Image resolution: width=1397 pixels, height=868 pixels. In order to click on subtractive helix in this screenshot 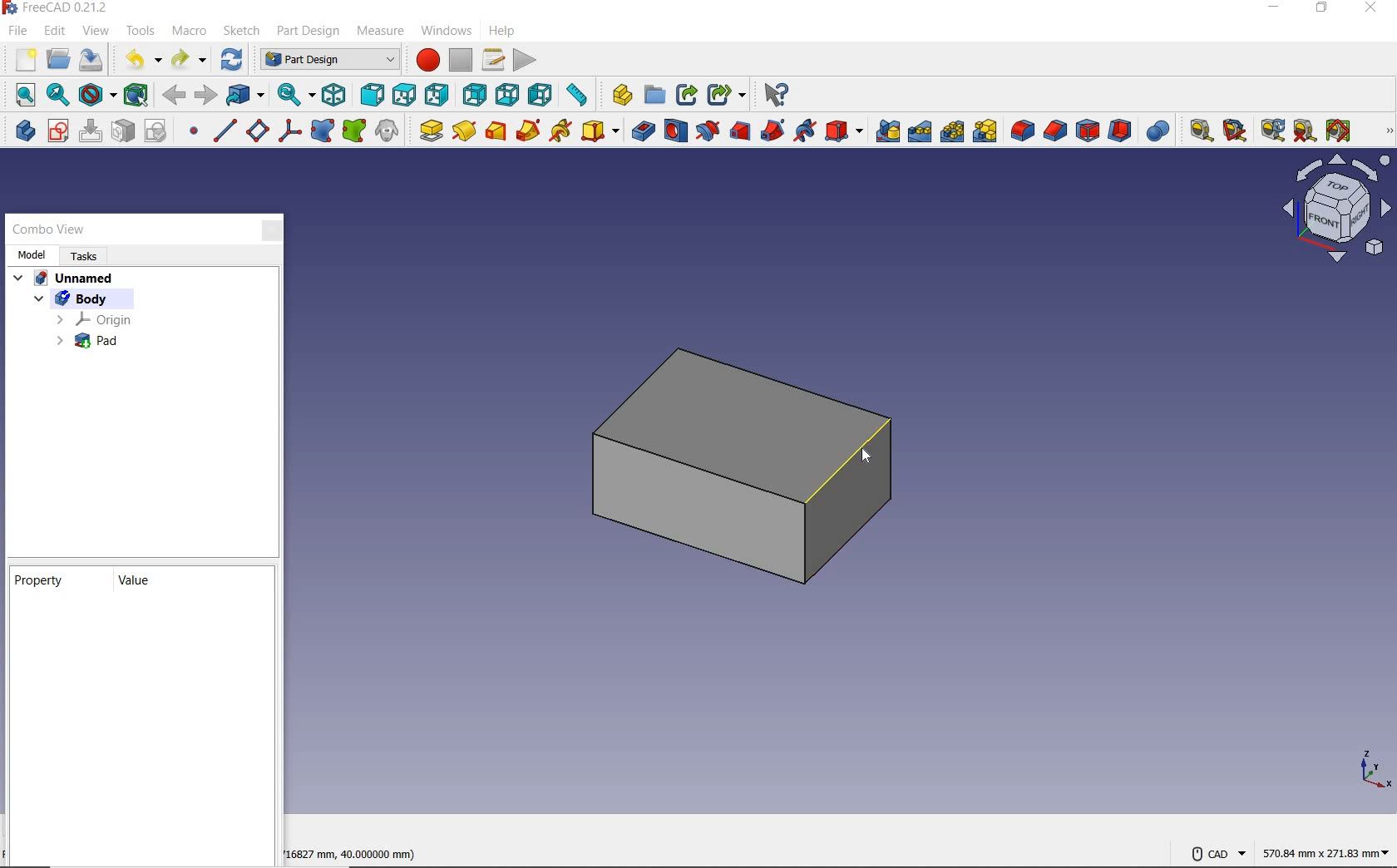, I will do `click(807, 131)`.